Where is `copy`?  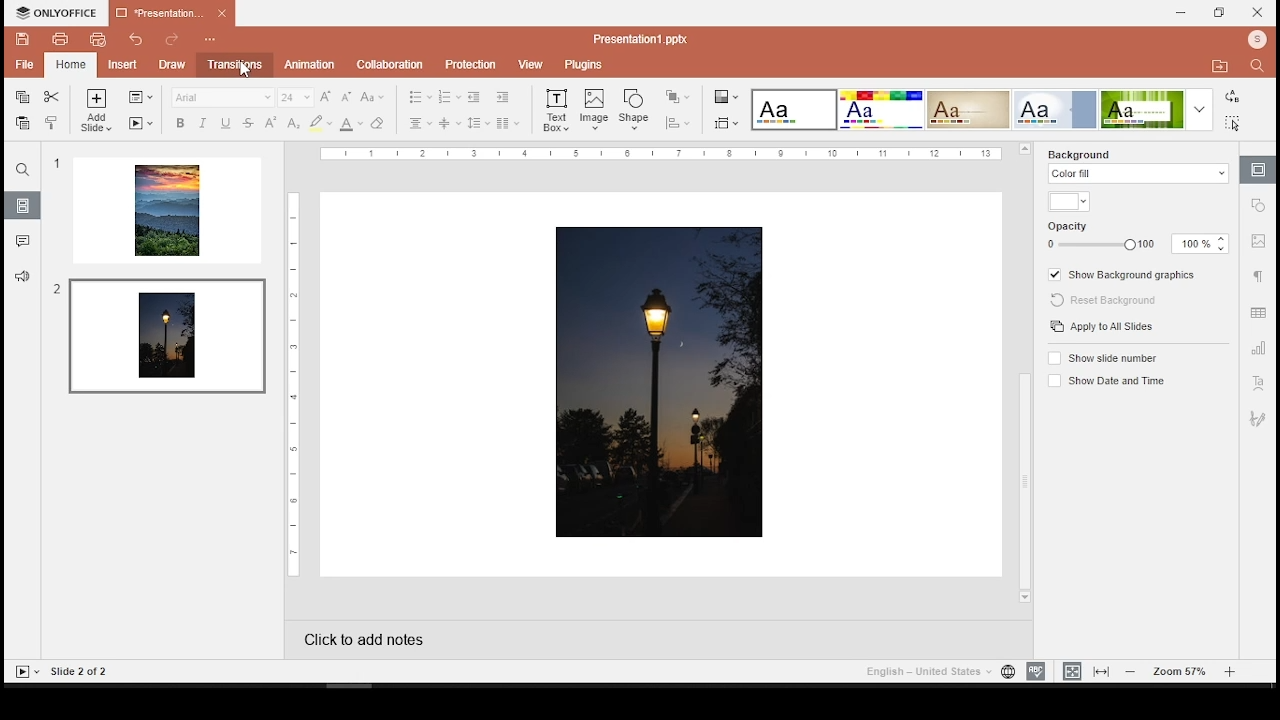
copy is located at coordinates (22, 97).